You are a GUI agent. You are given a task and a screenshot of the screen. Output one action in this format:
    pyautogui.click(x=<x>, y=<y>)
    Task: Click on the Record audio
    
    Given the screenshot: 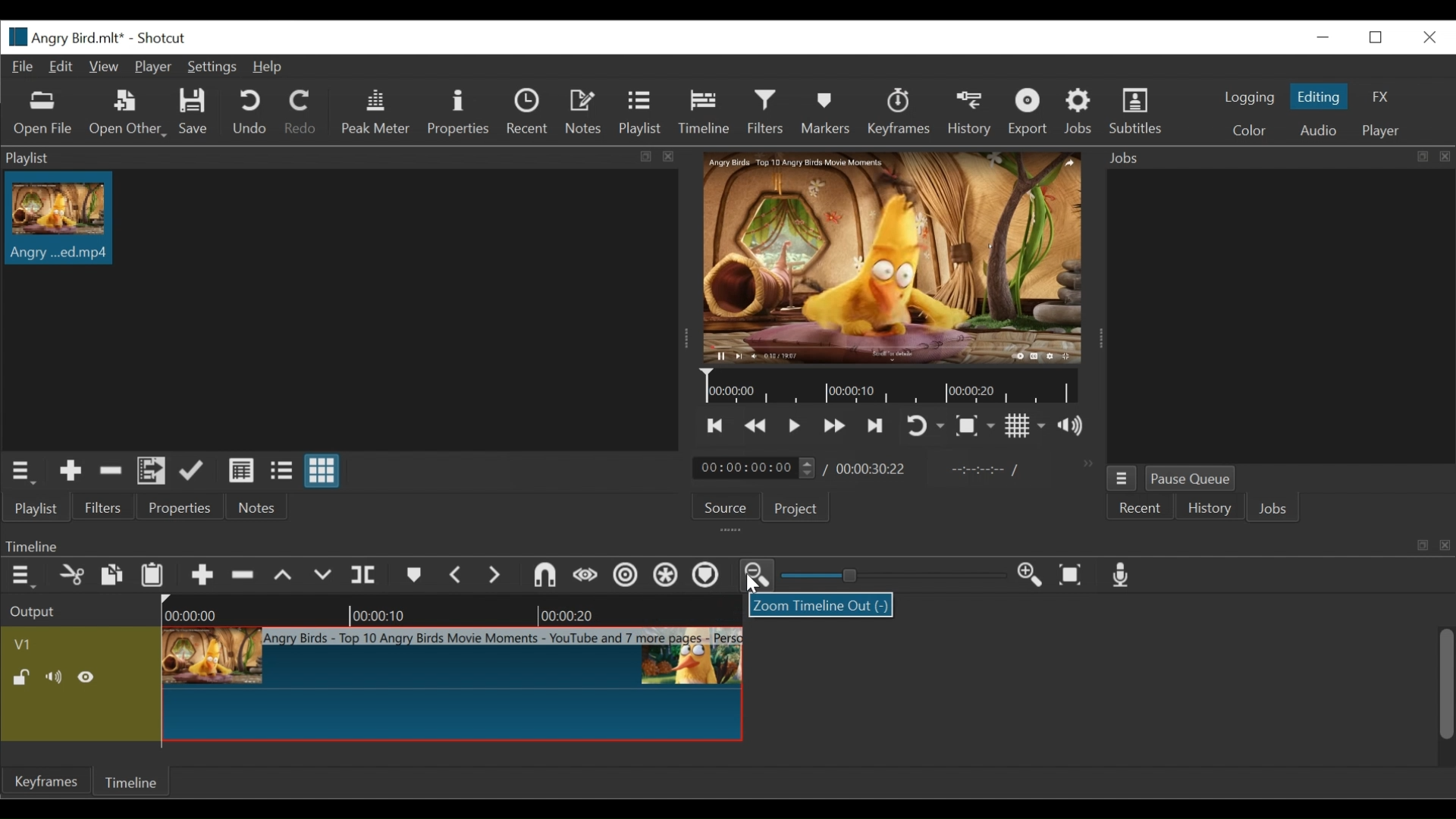 What is the action you would take?
    pyautogui.click(x=1127, y=576)
    